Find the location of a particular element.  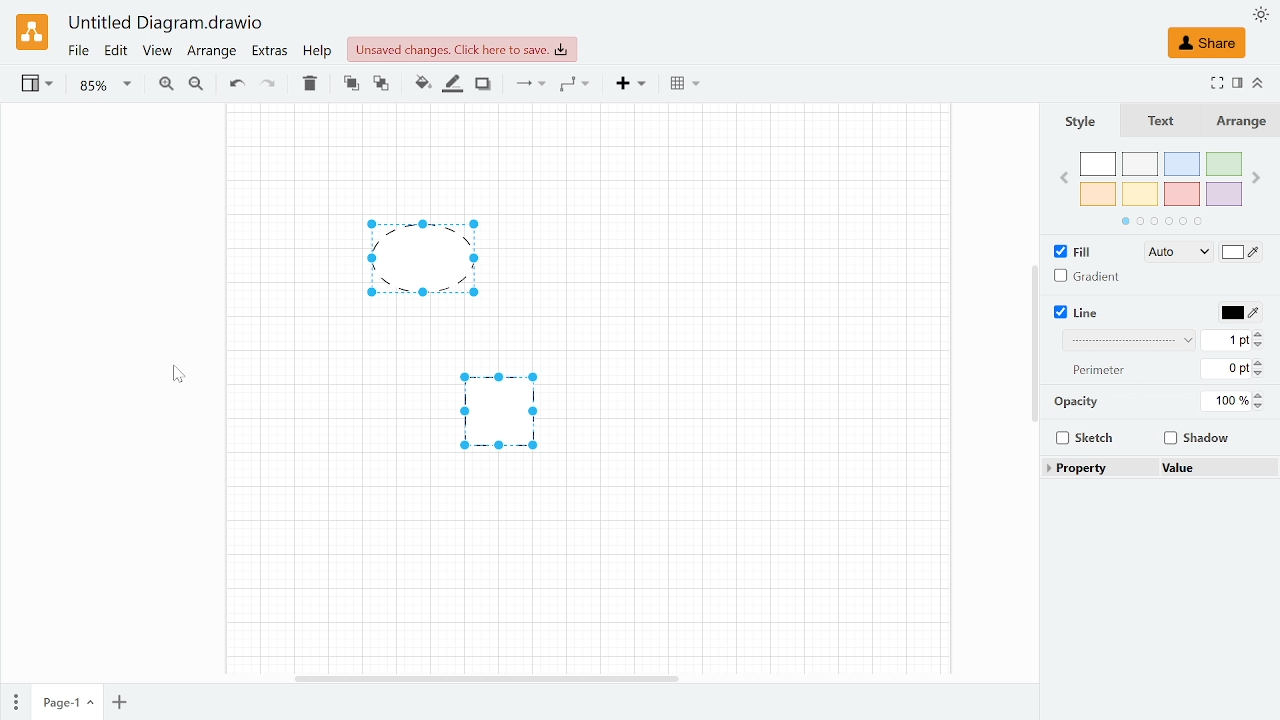

Extras is located at coordinates (270, 53).